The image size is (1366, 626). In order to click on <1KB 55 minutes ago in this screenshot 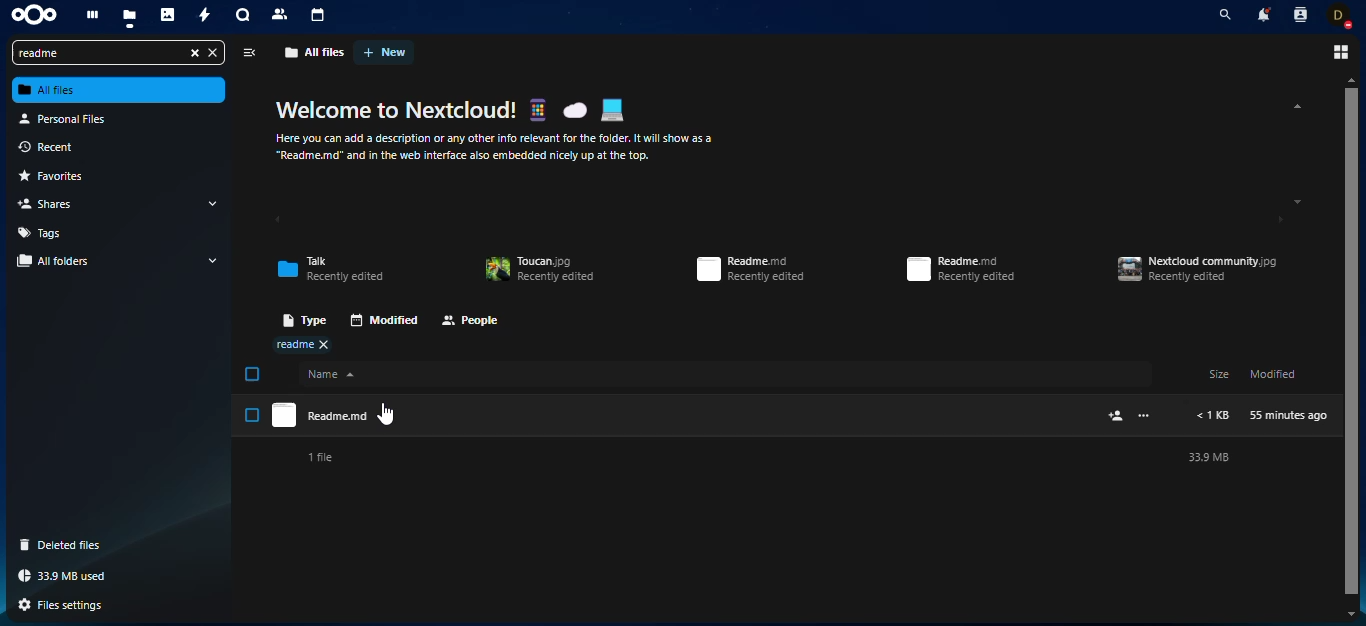, I will do `click(1262, 416)`.